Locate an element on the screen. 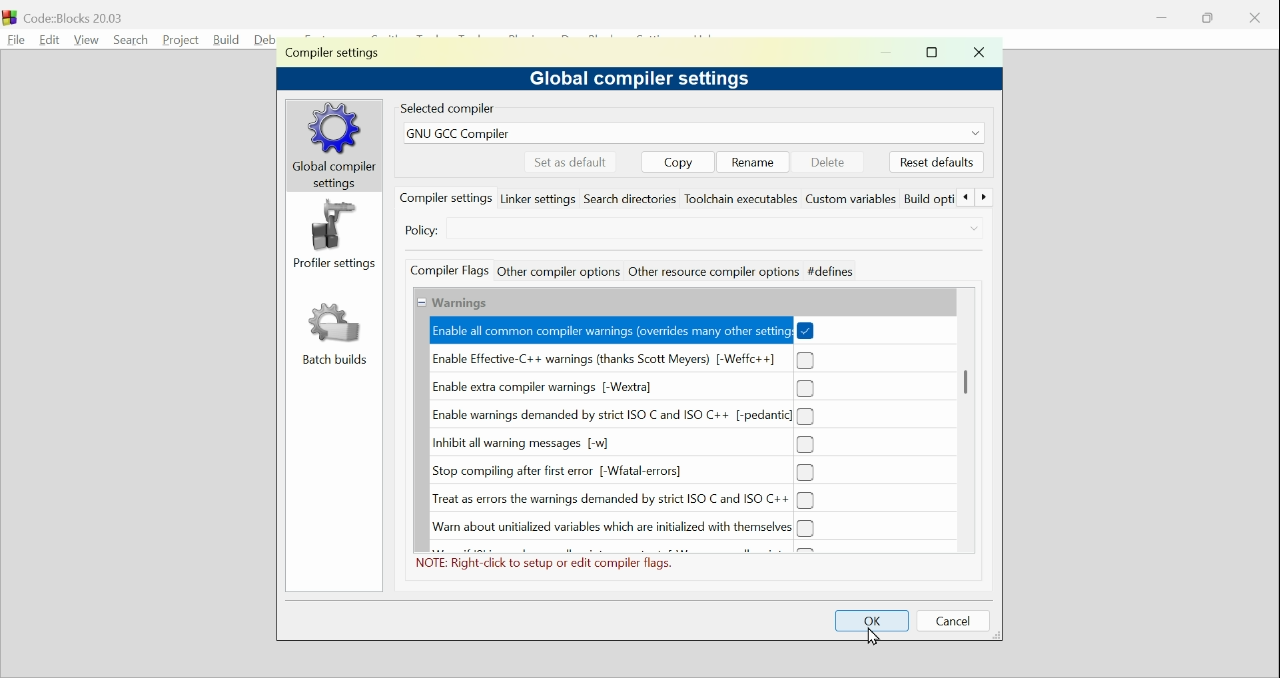  Close is located at coordinates (977, 53).